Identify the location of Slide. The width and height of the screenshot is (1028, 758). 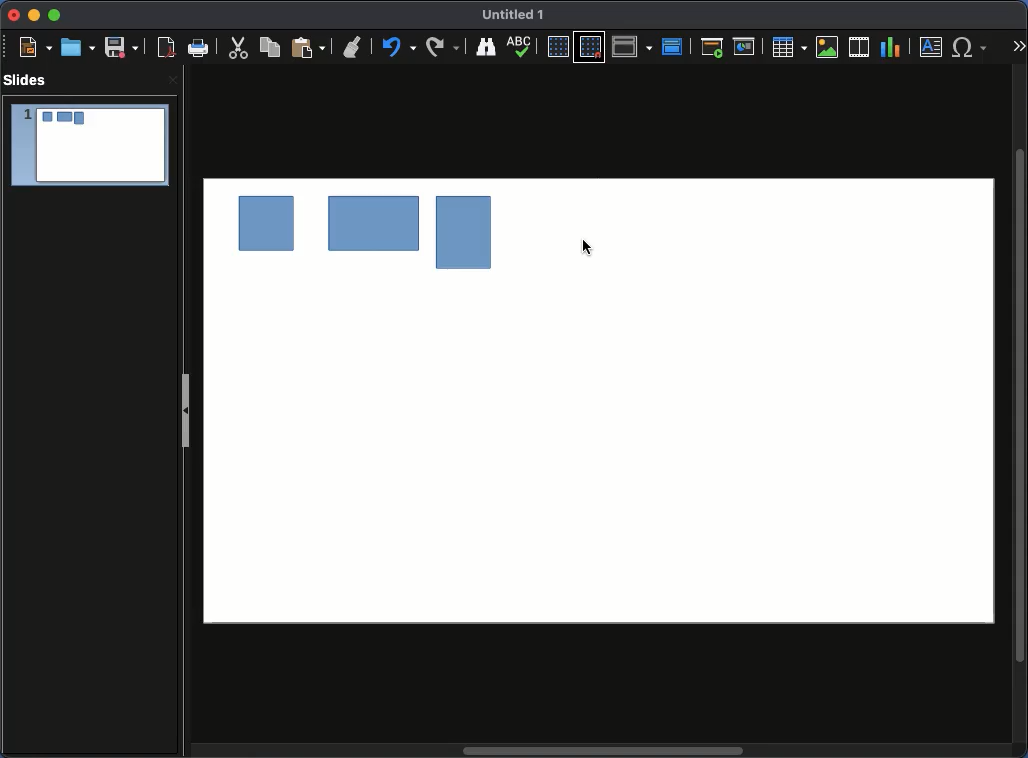
(89, 145).